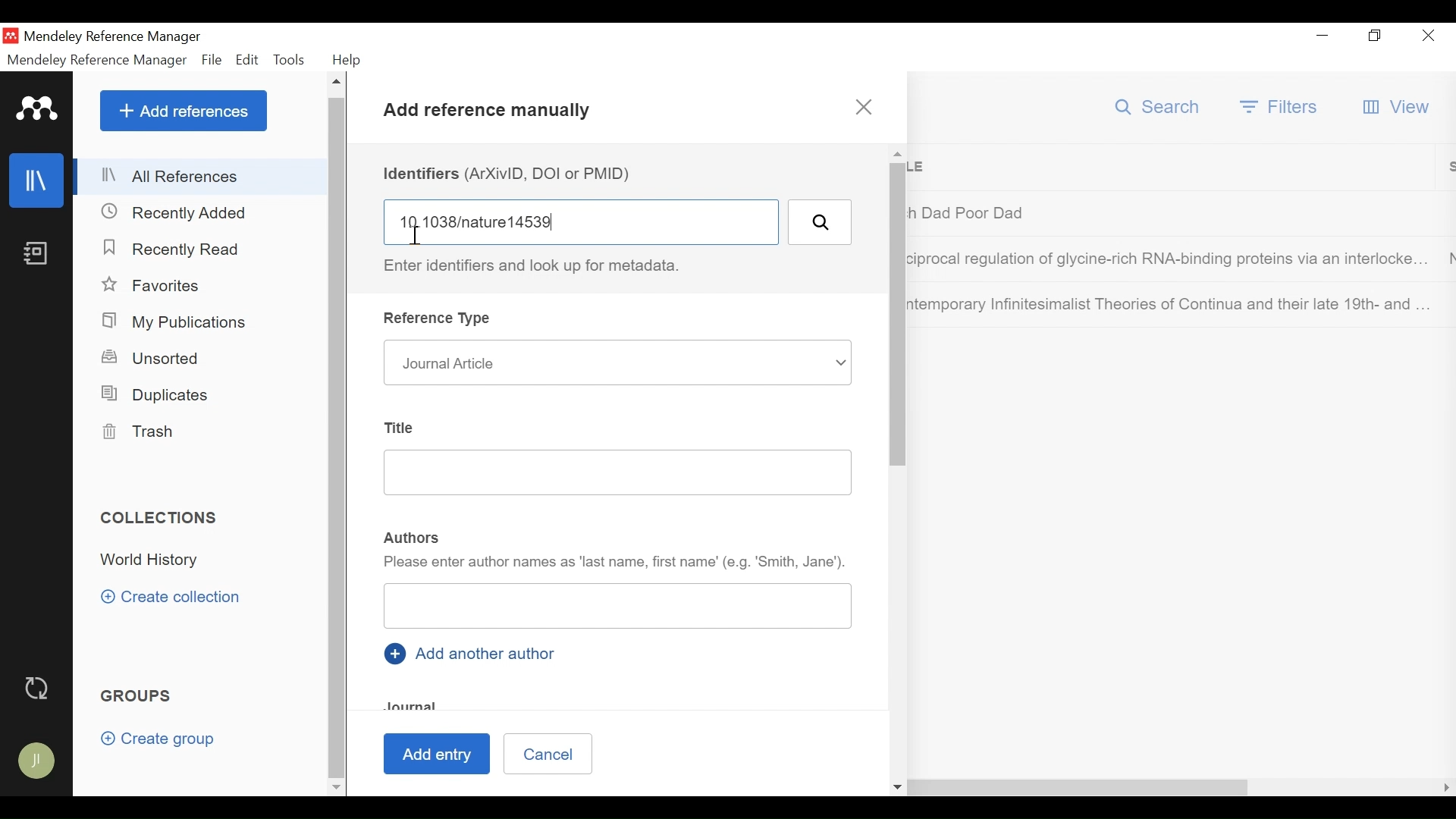 This screenshot has height=819, width=1456. Describe the element at coordinates (547, 753) in the screenshot. I see `Cancel` at that location.